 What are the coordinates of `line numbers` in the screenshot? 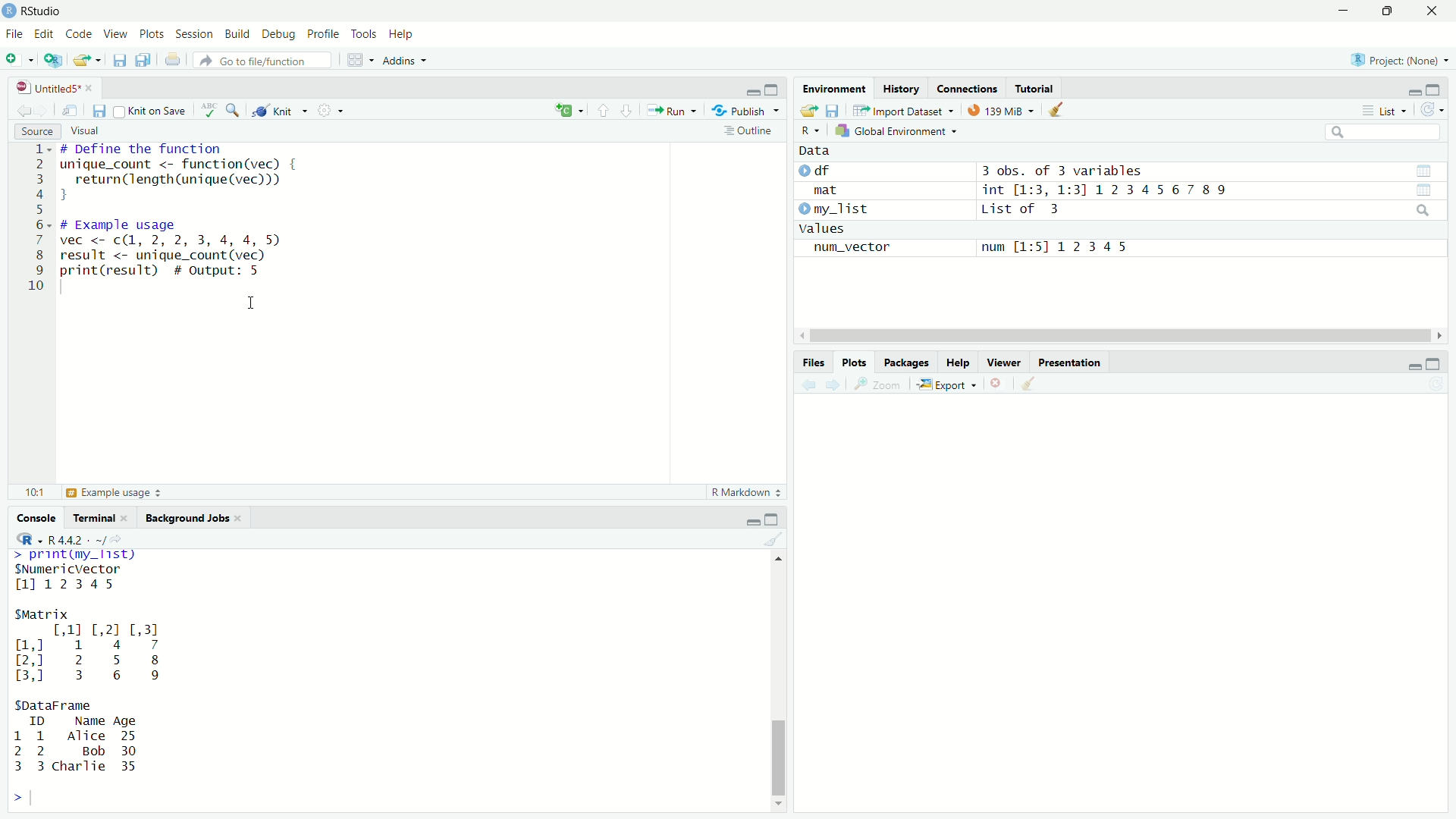 It's located at (37, 219).